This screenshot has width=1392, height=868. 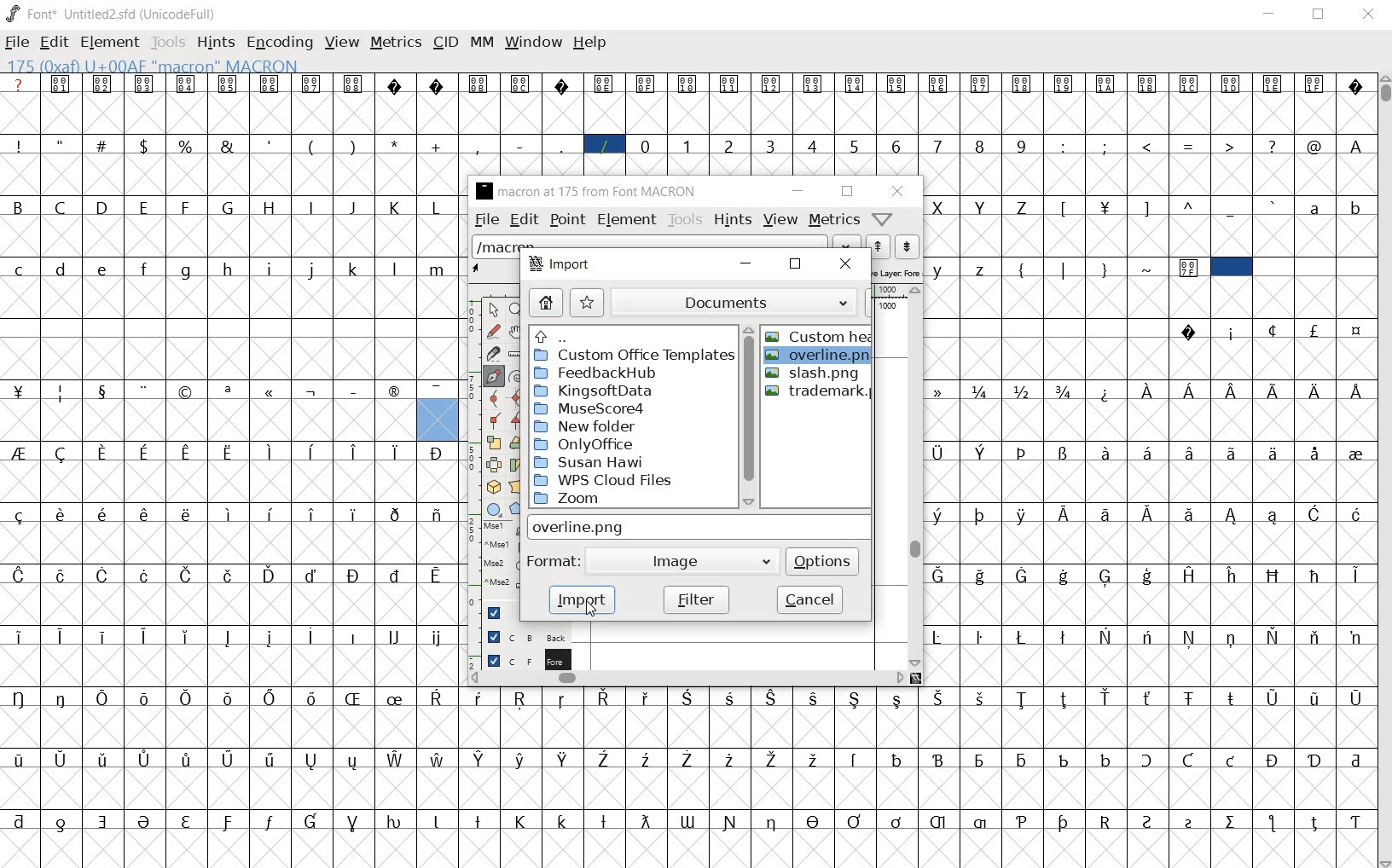 I want to click on Symbol, so click(x=315, y=759).